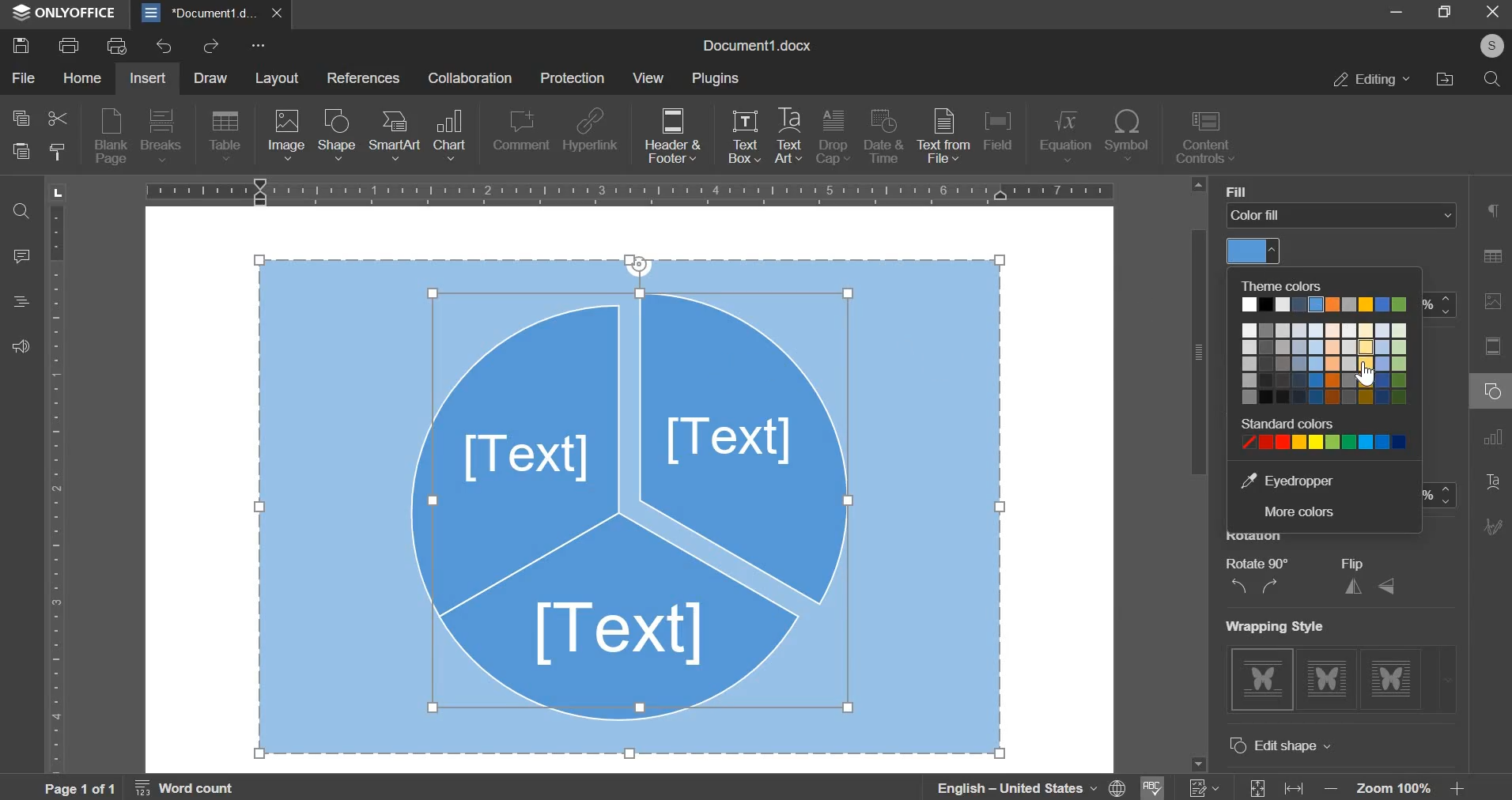 The height and width of the screenshot is (800, 1512). I want to click on collaboration, so click(471, 80).